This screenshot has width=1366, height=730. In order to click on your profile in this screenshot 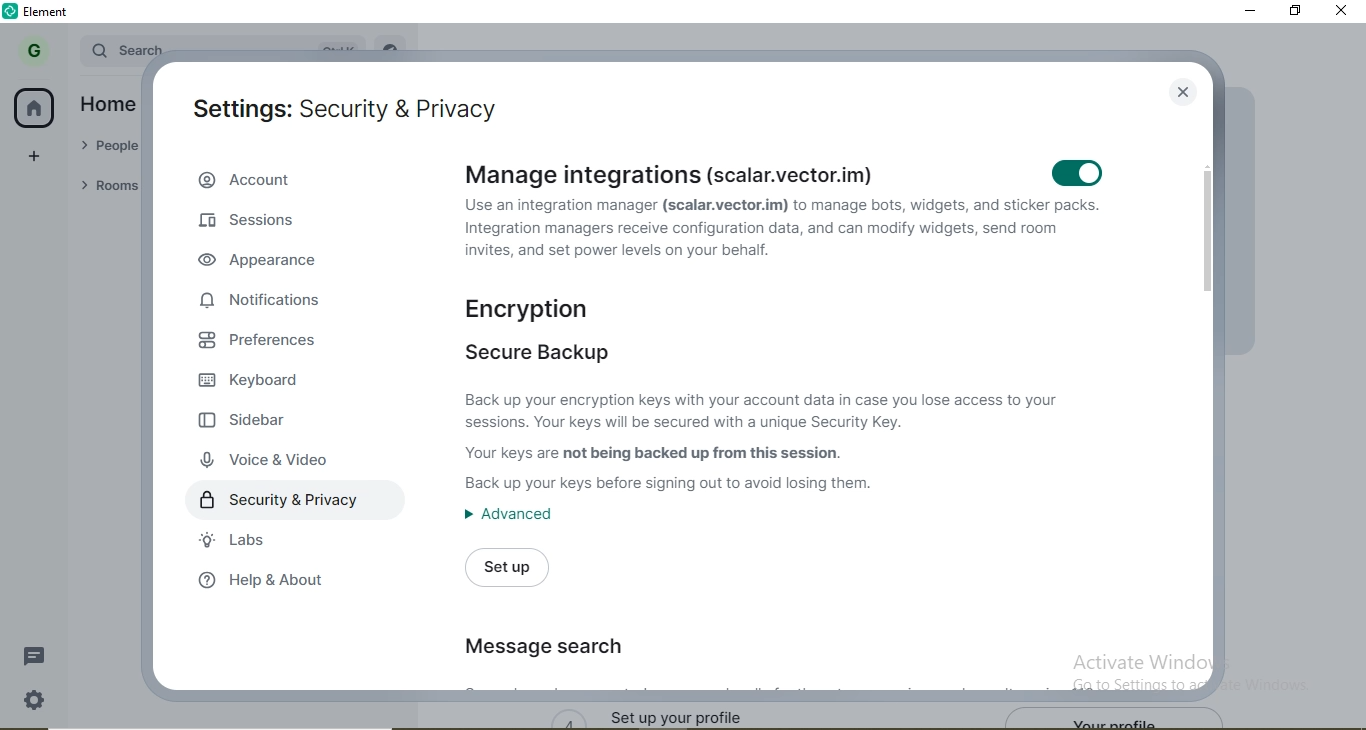, I will do `click(1120, 719)`.